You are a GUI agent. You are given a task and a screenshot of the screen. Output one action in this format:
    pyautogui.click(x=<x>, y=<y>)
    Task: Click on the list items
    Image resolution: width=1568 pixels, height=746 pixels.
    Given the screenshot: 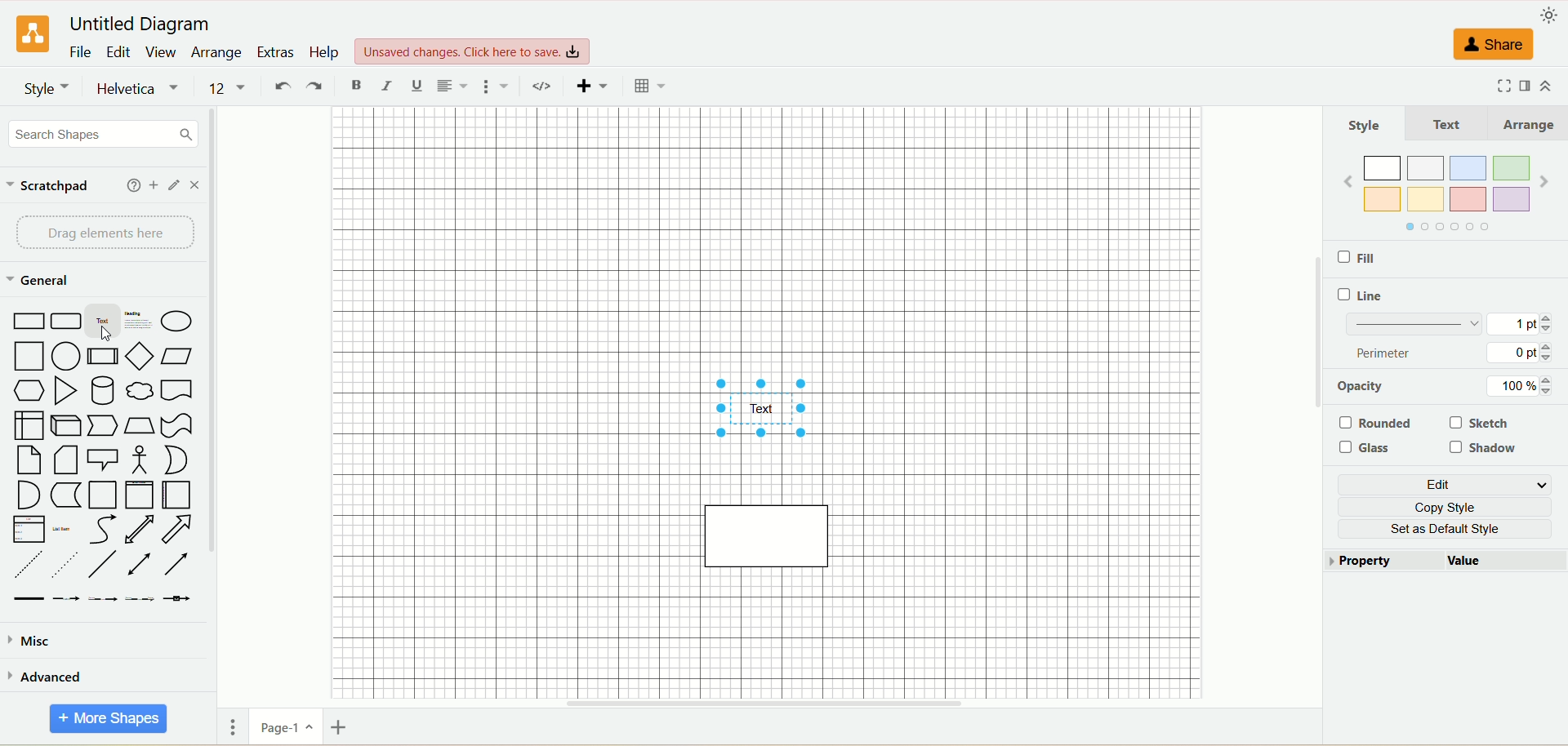 What is the action you would take?
    pyautogui.click(x=62, y=528)
    